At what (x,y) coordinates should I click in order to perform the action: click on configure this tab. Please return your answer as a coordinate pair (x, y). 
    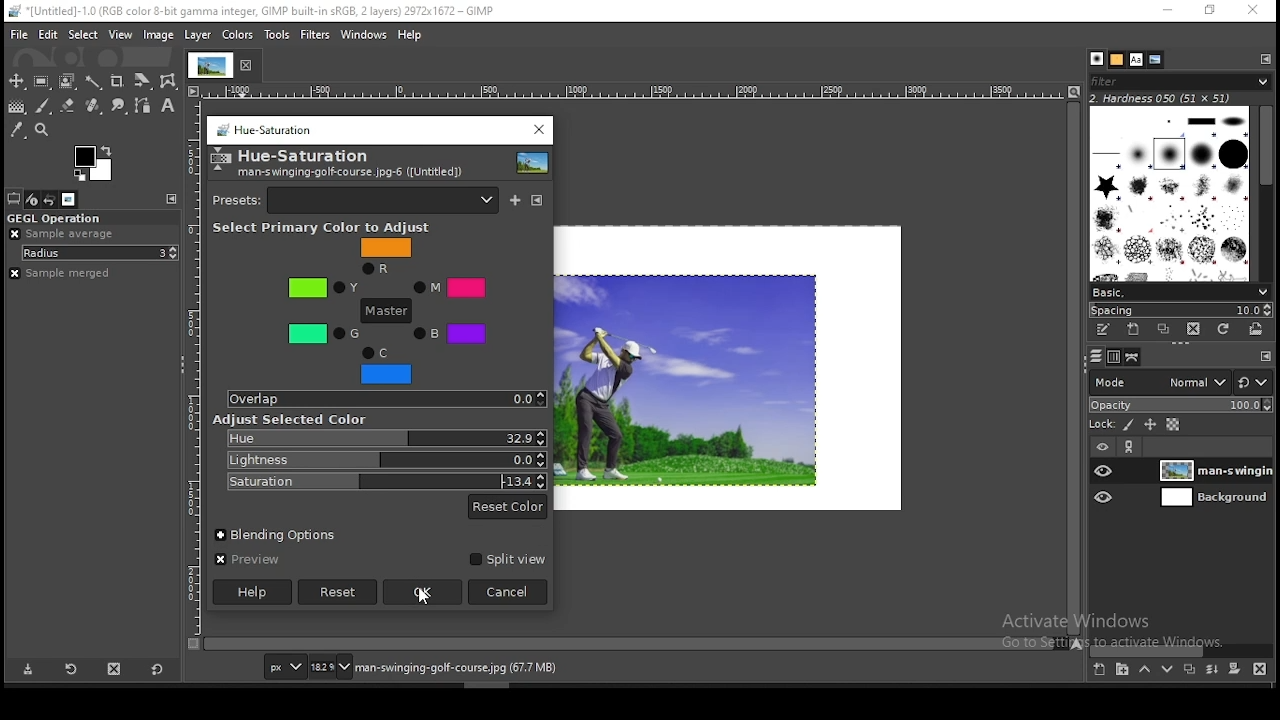
    Looking at the image, I should click on (1264, 60).